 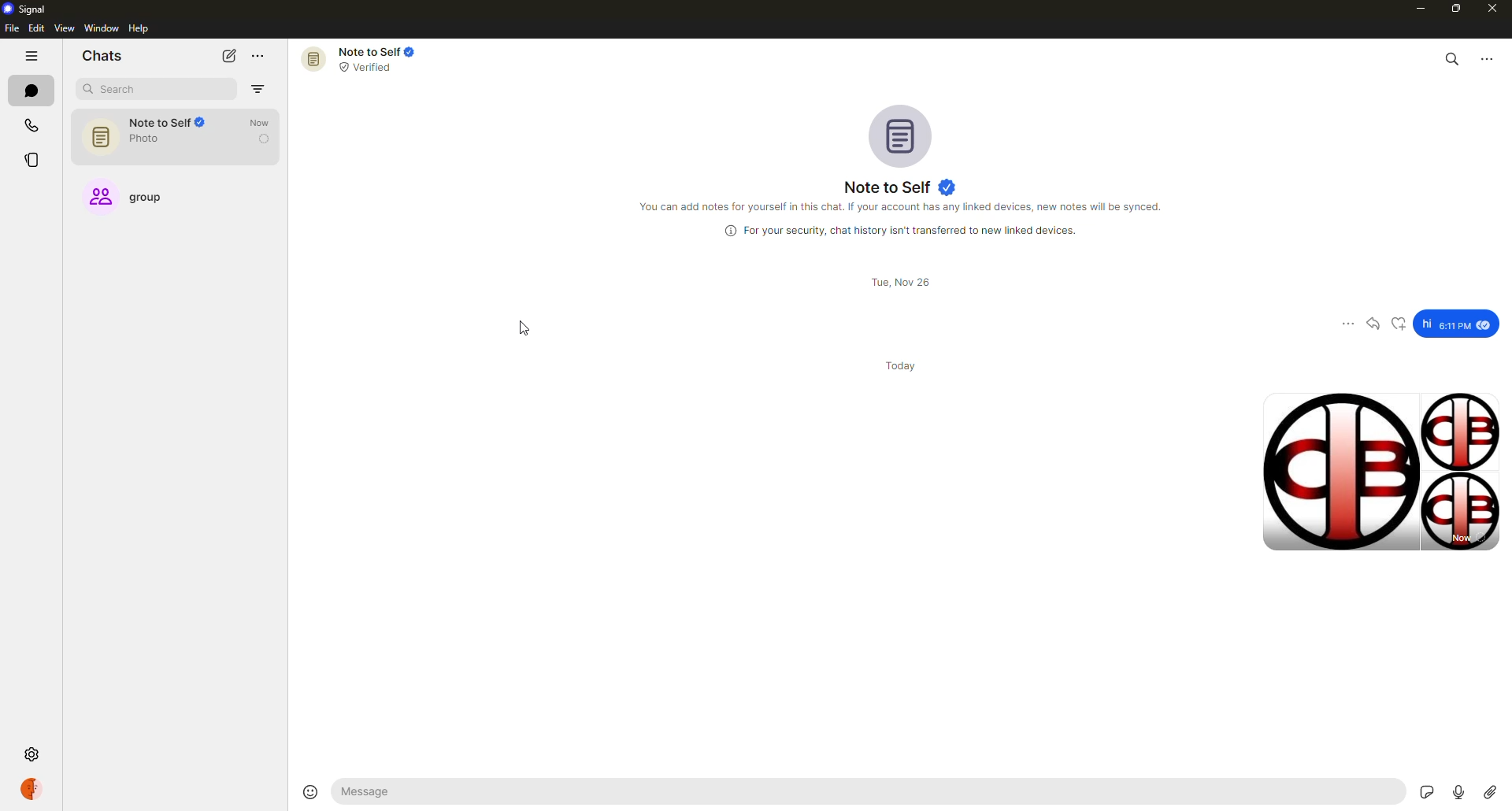 What do you see at coordinates (899, 135) in the screenshot?
I see `profile pic` at bounding box center [899, 135].